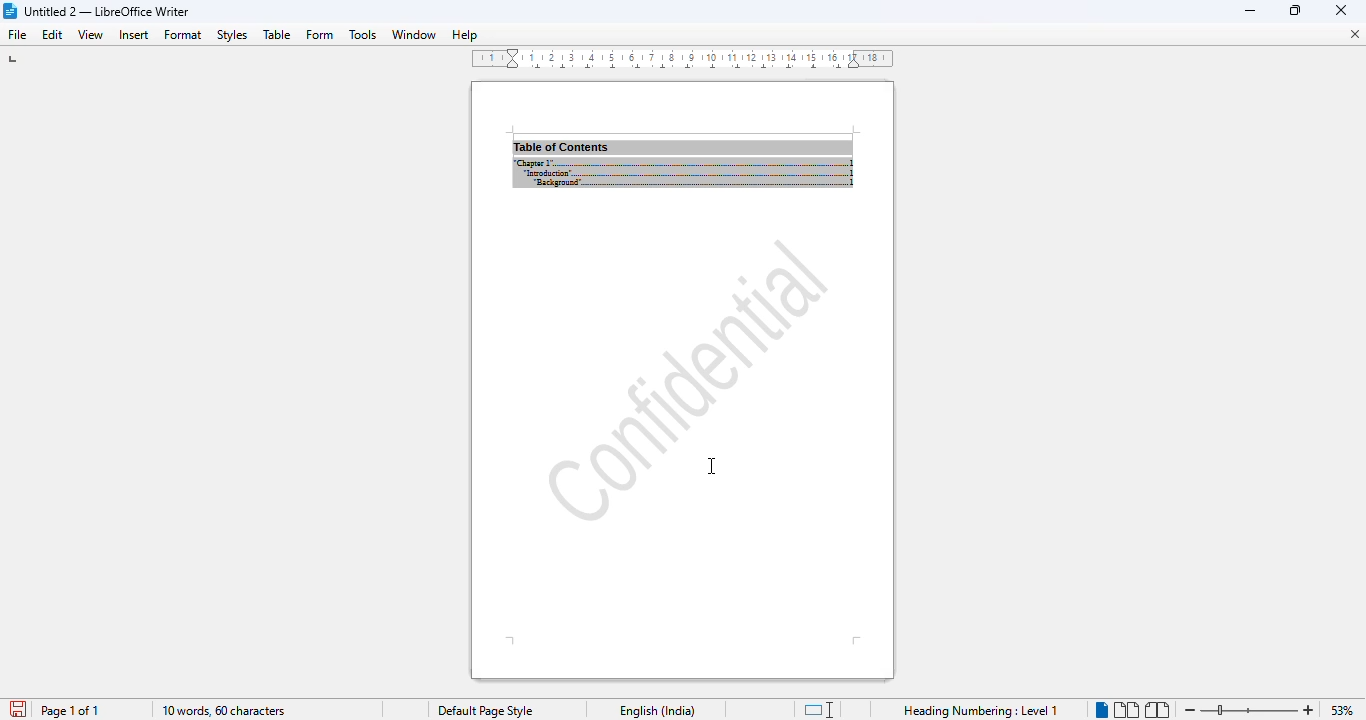 Image resolution: width=1366 pixels, height=720 pixels. Describe the element at coordinates (686, 378) in the screenshot. I see `watermark added to the background of the document` at that location.